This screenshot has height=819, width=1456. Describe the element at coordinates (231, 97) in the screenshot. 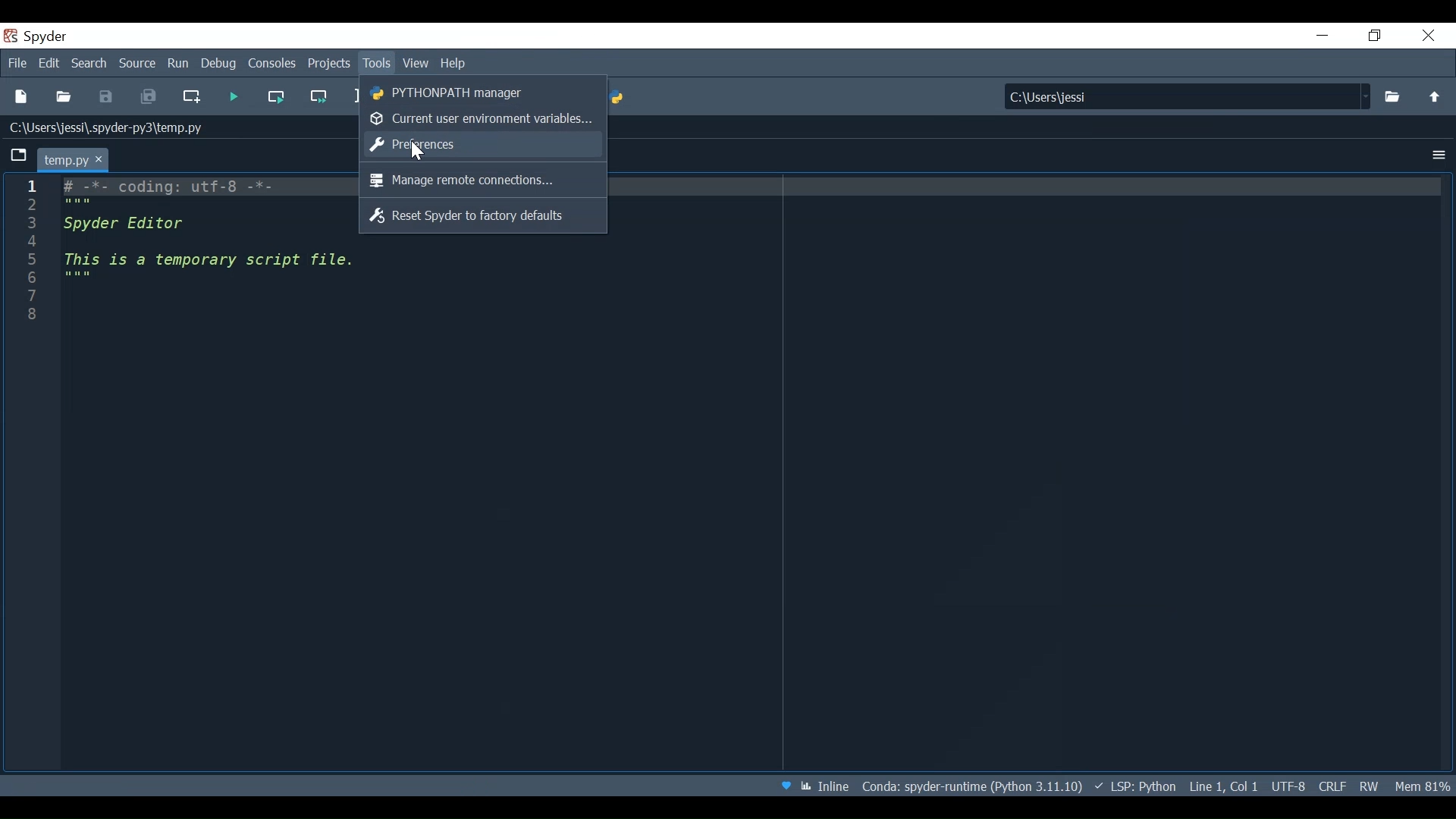

I see `Run file` at that location.